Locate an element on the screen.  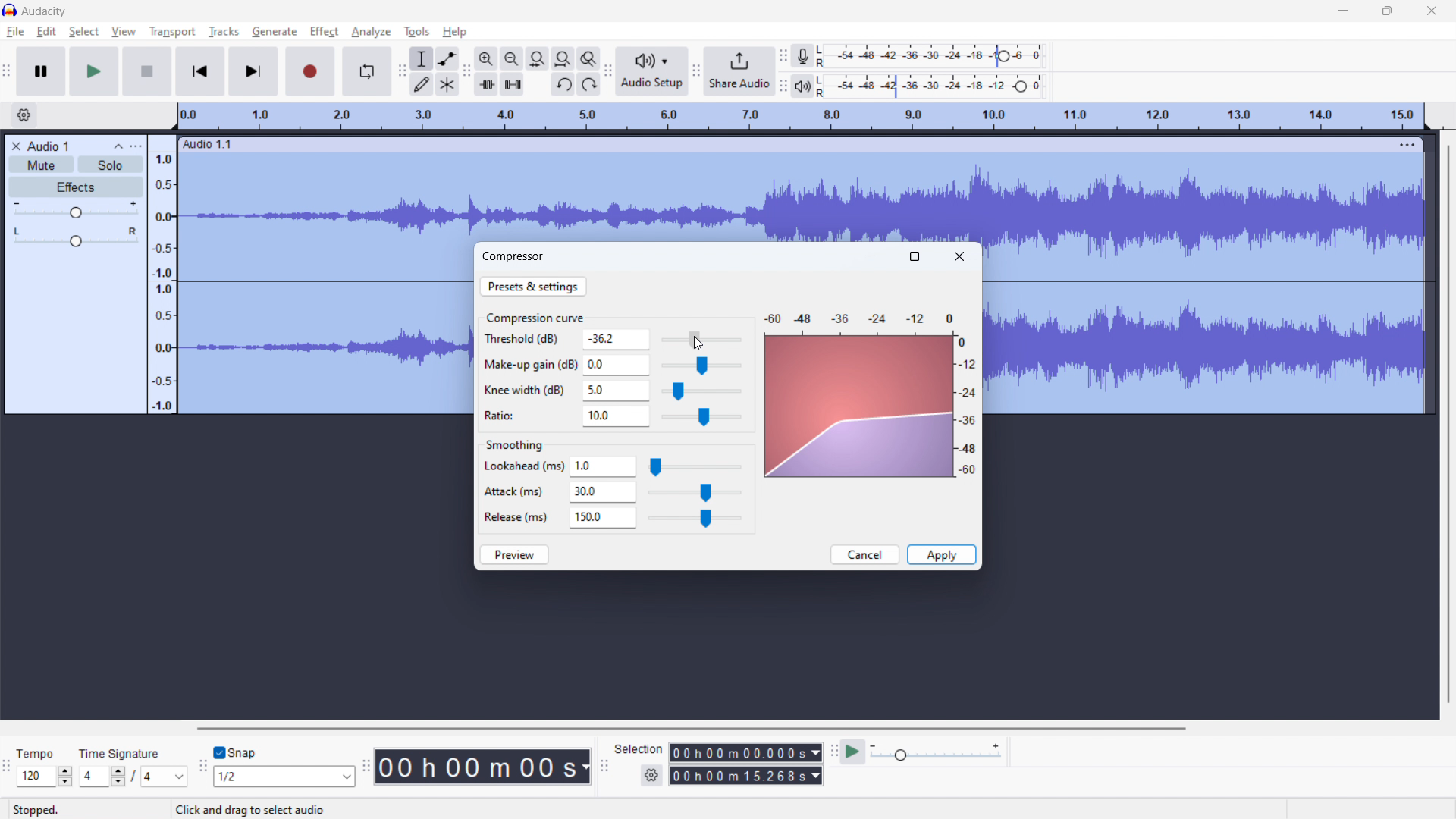
apply is located at coordinates (941, 555).